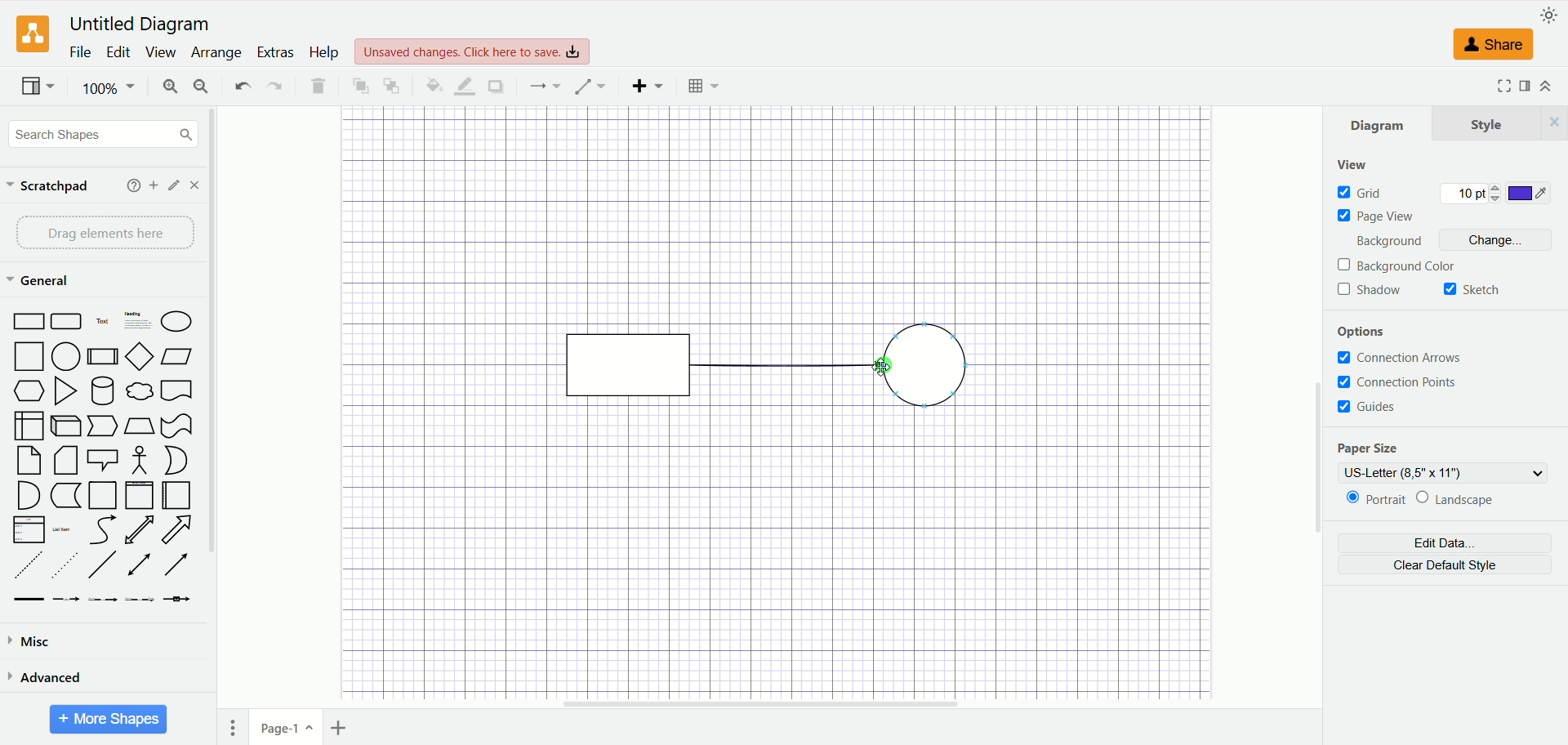 This screenshot has width=1568, height=745. What do you see at coordinates (105, 232) in the screenshot?
I see `drag elements here` at bounding box center [105, 232].